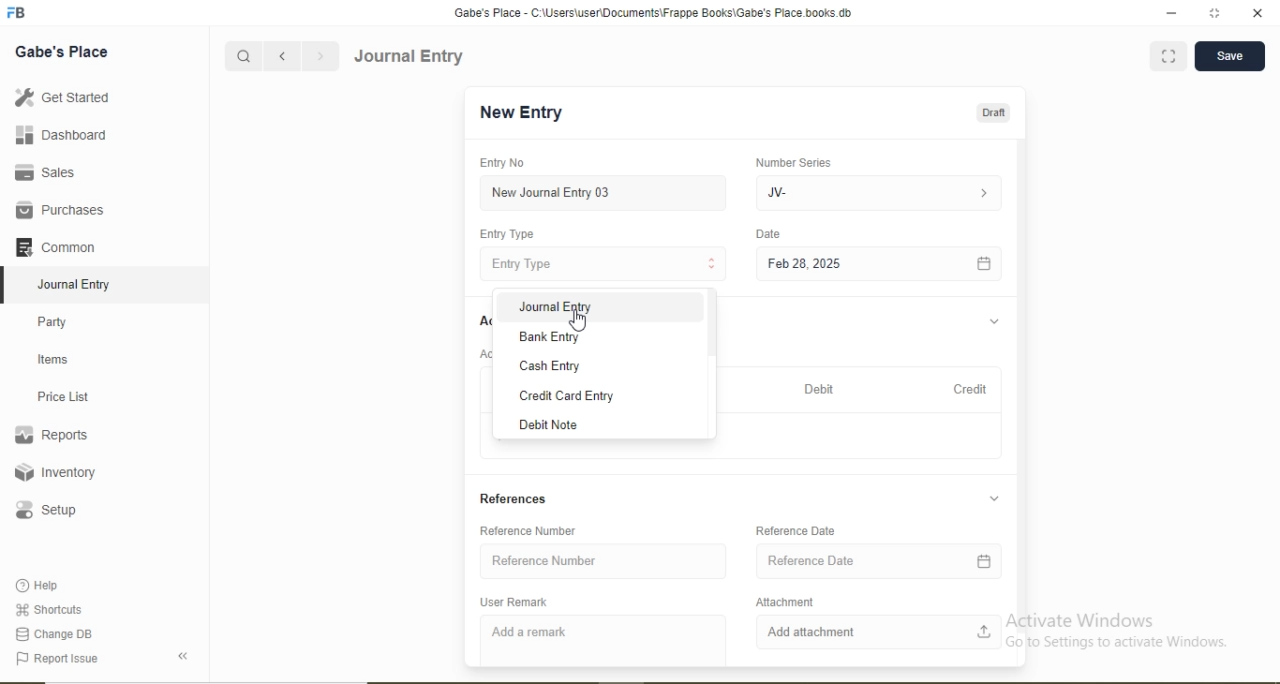 The width and height of the screenshot is (1280, 684). What do you see at coordinates (995, 322) in the screenshot?
I see `Dropdown` at bounding box center [995, 322].